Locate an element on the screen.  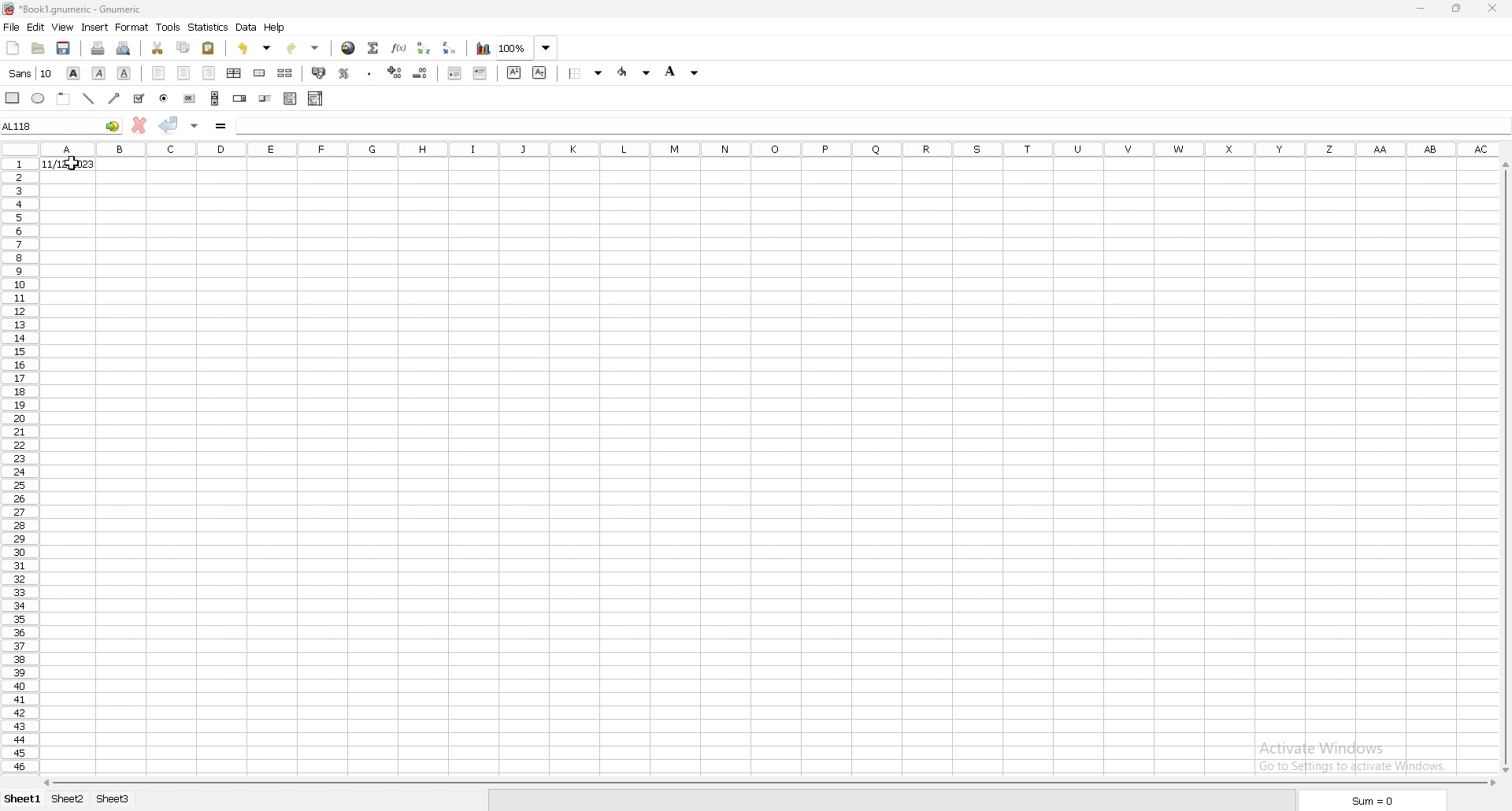
sum is located at coordinates (1373, 801).